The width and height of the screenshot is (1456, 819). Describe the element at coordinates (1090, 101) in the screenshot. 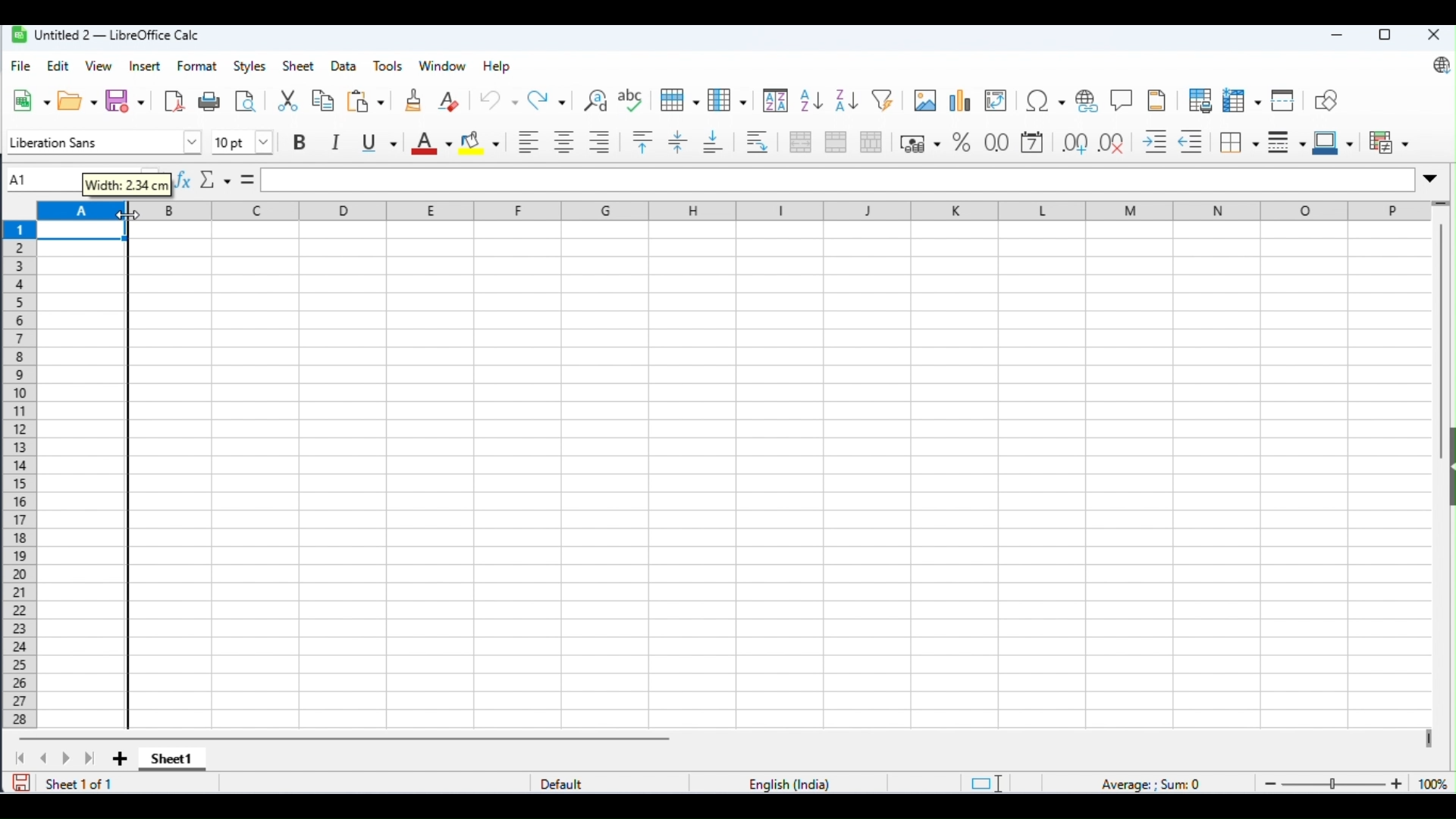

I see `insert hyperlink` at that location.